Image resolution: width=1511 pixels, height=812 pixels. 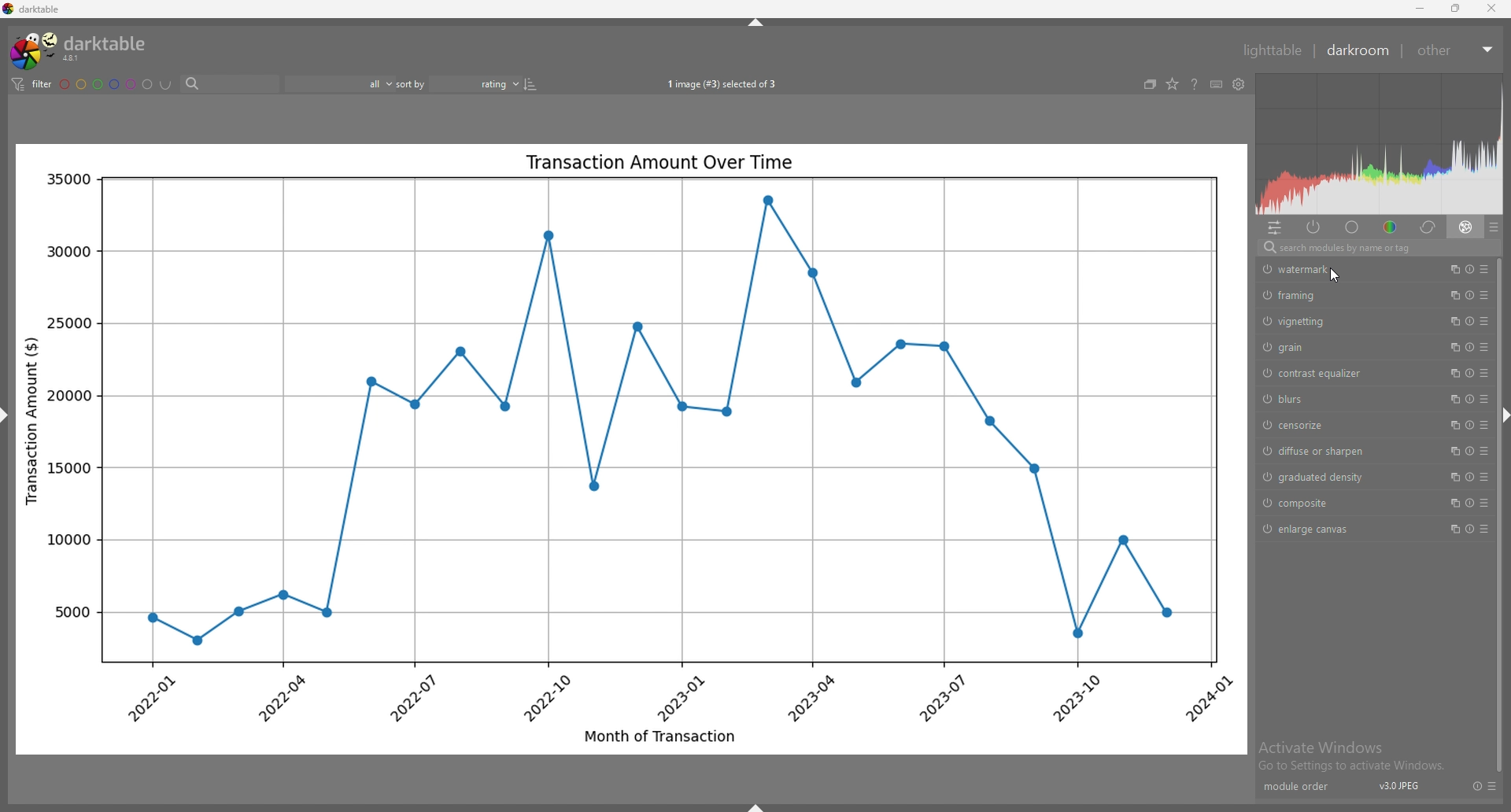 I want to click on scroll bar, so click(x=1498, y=516).